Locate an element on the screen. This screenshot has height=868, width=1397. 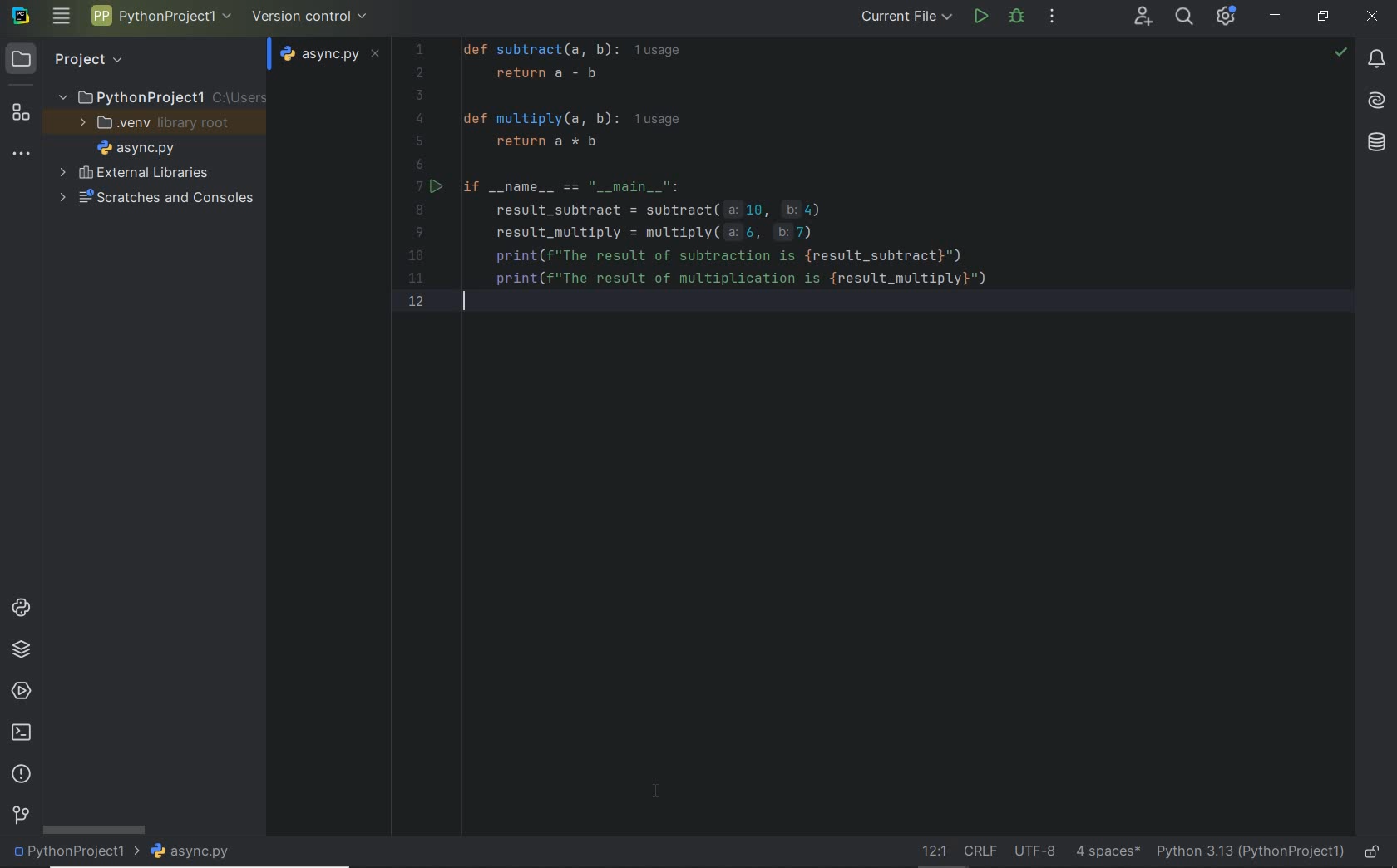
more tool windows is located at coordinates (21, 155).